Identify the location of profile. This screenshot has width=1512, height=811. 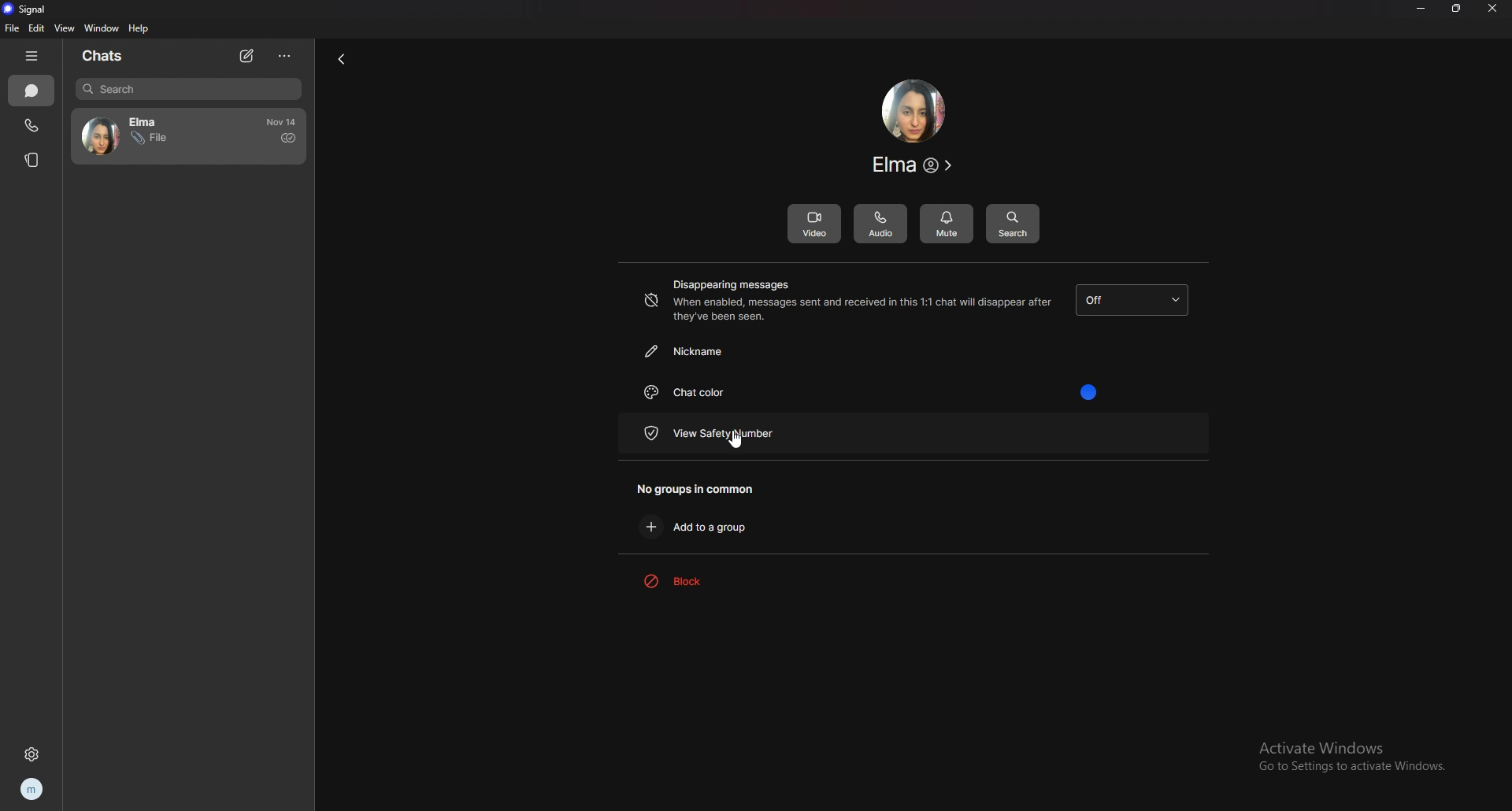
(35, 789).